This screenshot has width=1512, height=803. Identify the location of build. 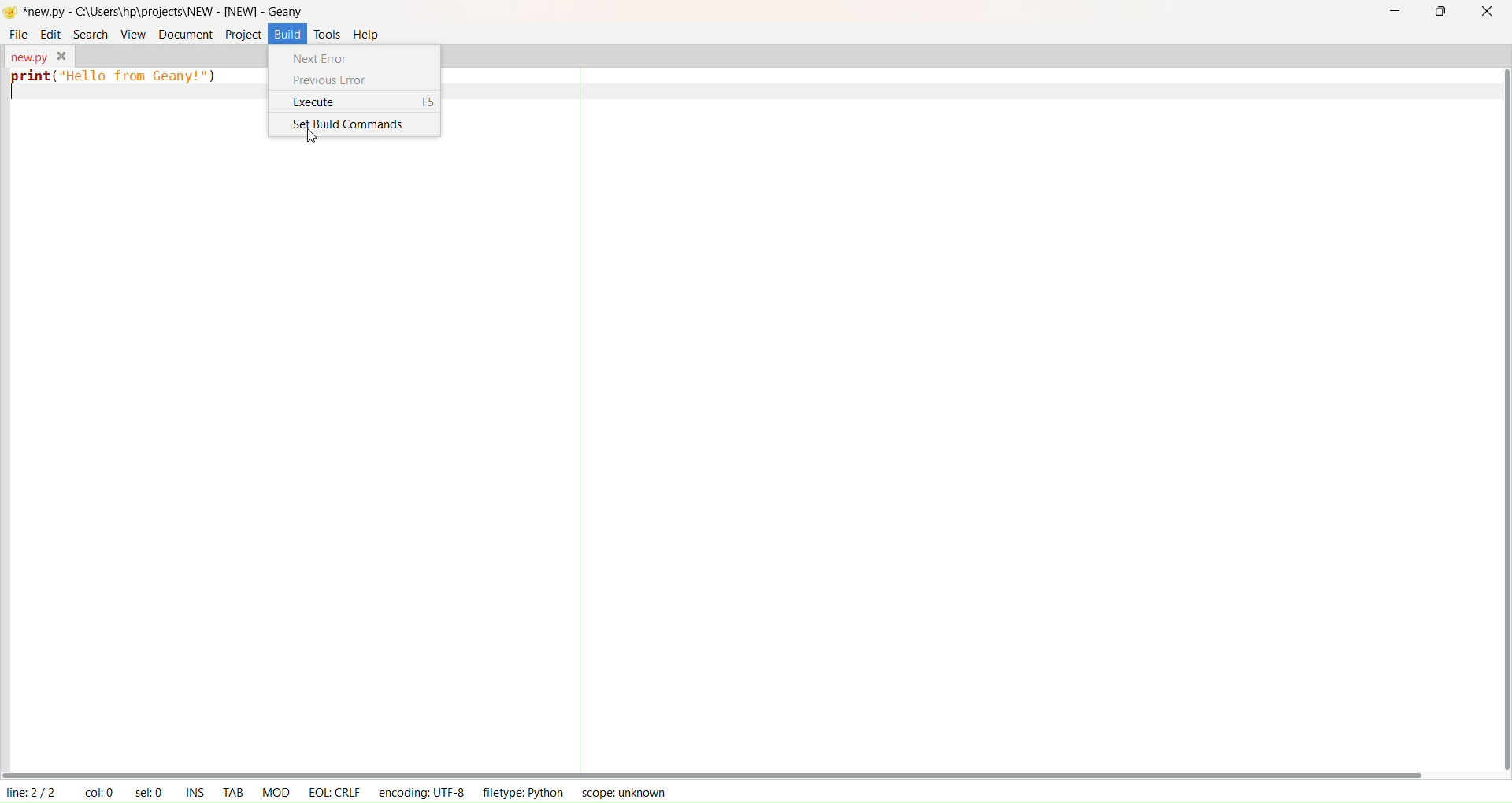
(288, 32).